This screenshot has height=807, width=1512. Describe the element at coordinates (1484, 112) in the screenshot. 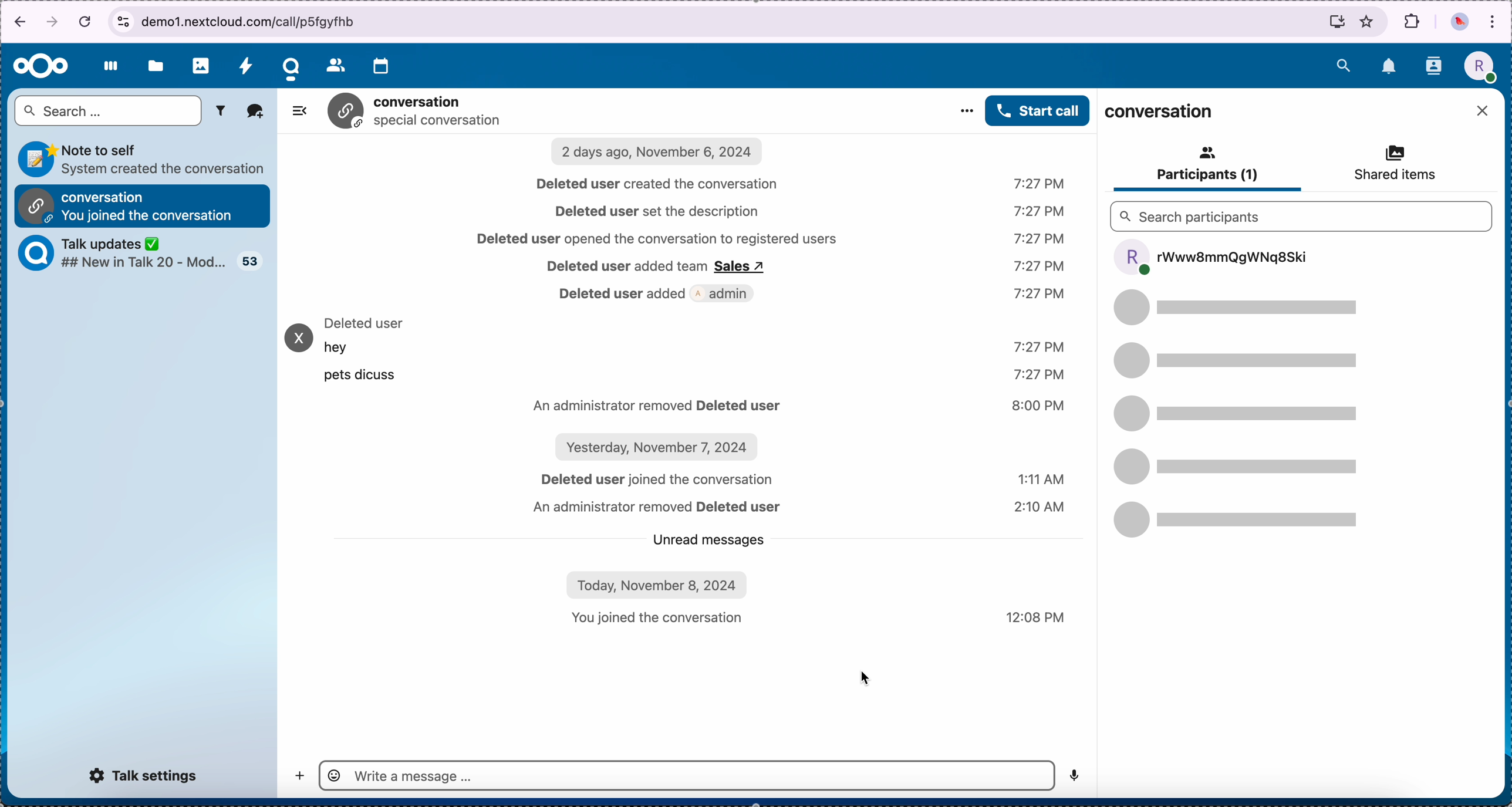

I see `close` at that location.